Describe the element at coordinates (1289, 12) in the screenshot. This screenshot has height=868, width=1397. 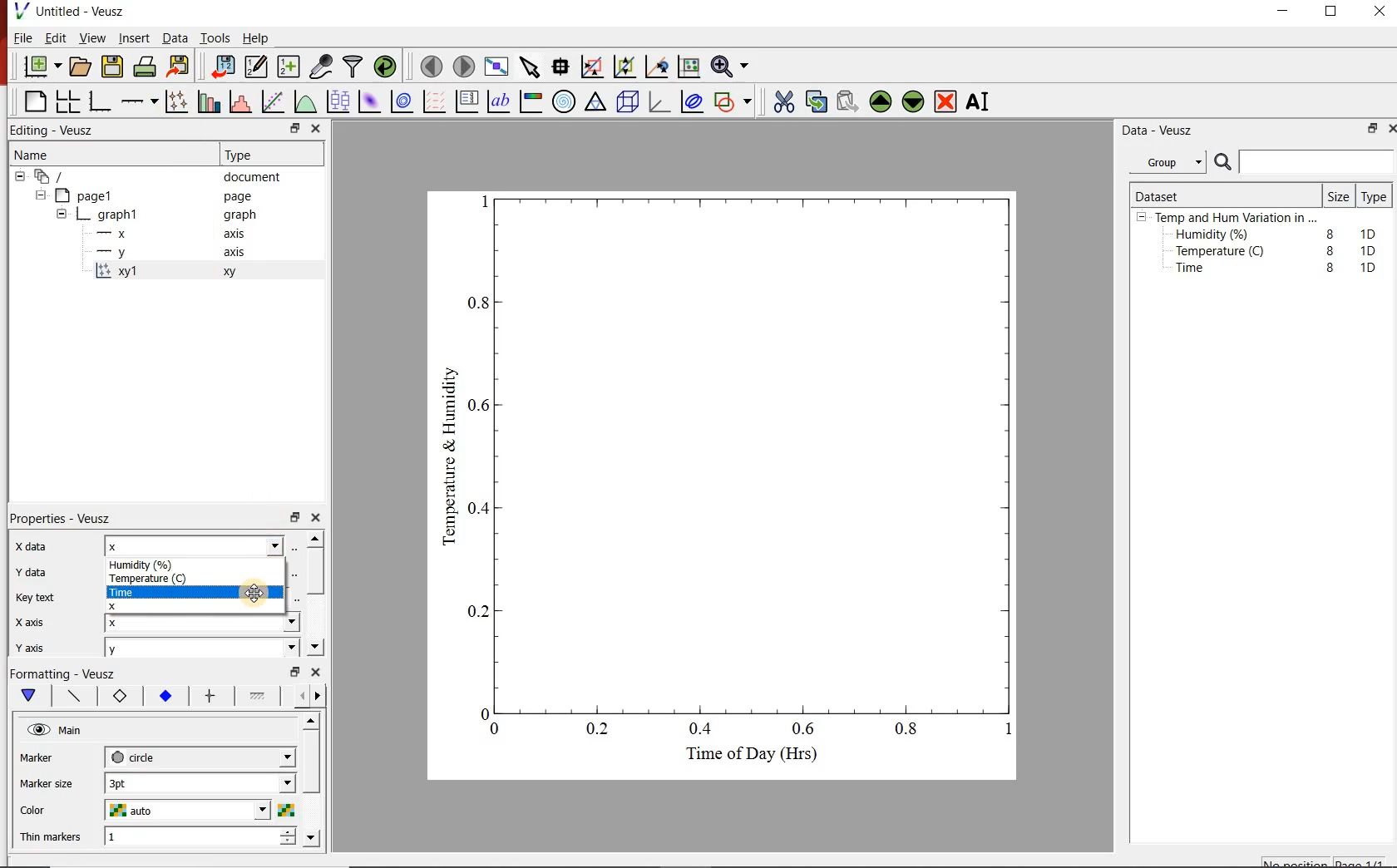
I see `minimize` at that location.